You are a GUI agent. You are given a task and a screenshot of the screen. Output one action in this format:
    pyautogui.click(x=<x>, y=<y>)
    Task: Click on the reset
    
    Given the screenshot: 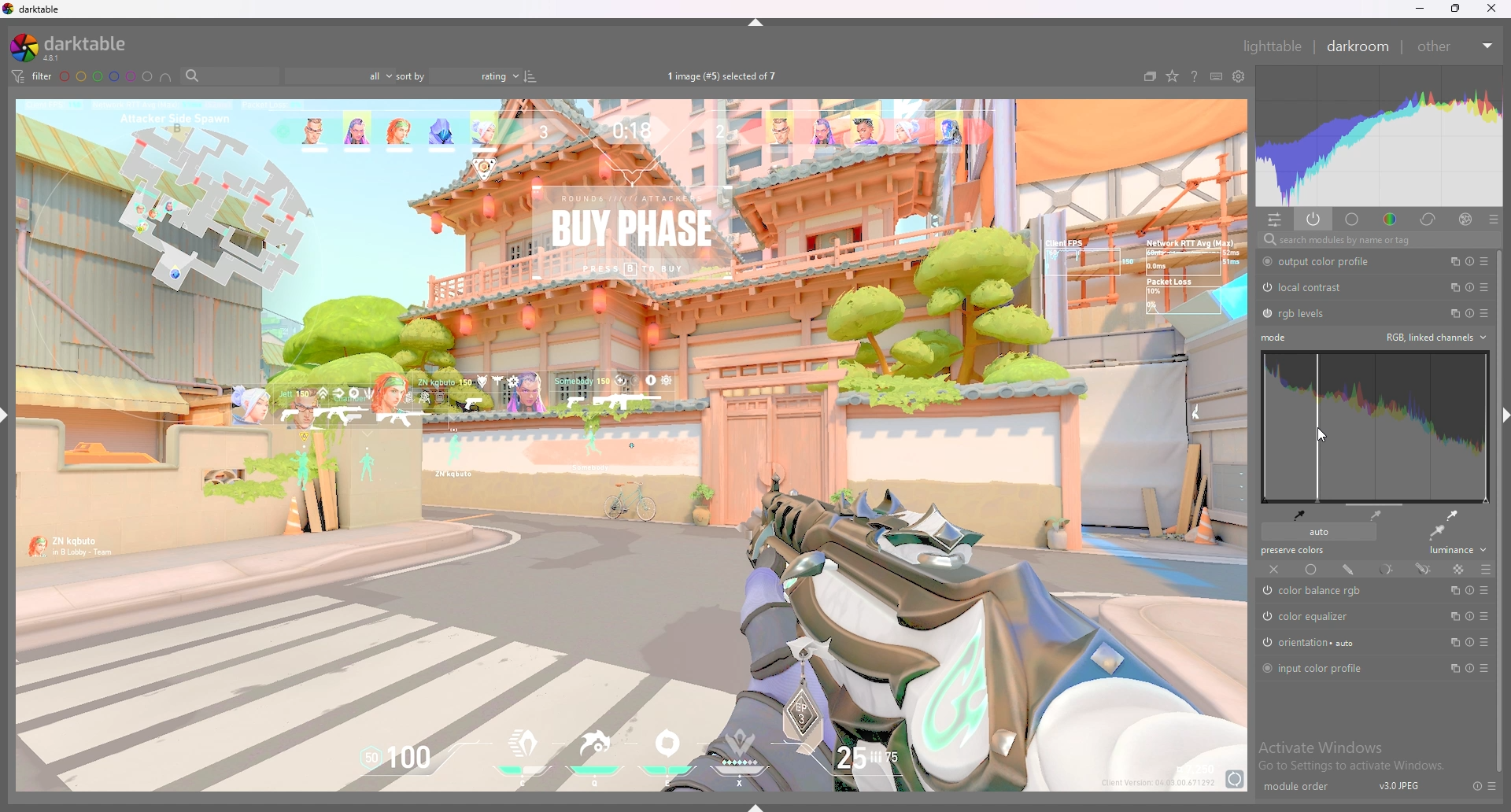 What is the action you would take?
    pyautogui.click(x=1471, y=313)
    